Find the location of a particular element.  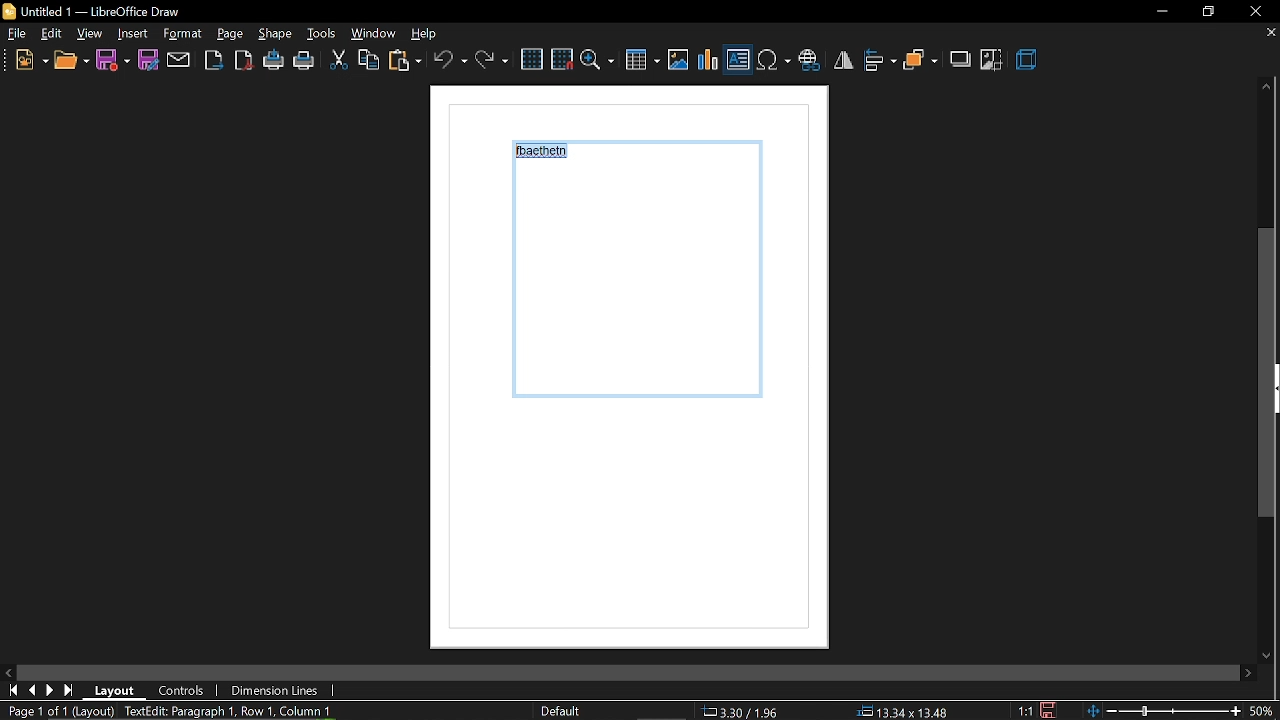

Insert table is located at coordinates (642, 61).